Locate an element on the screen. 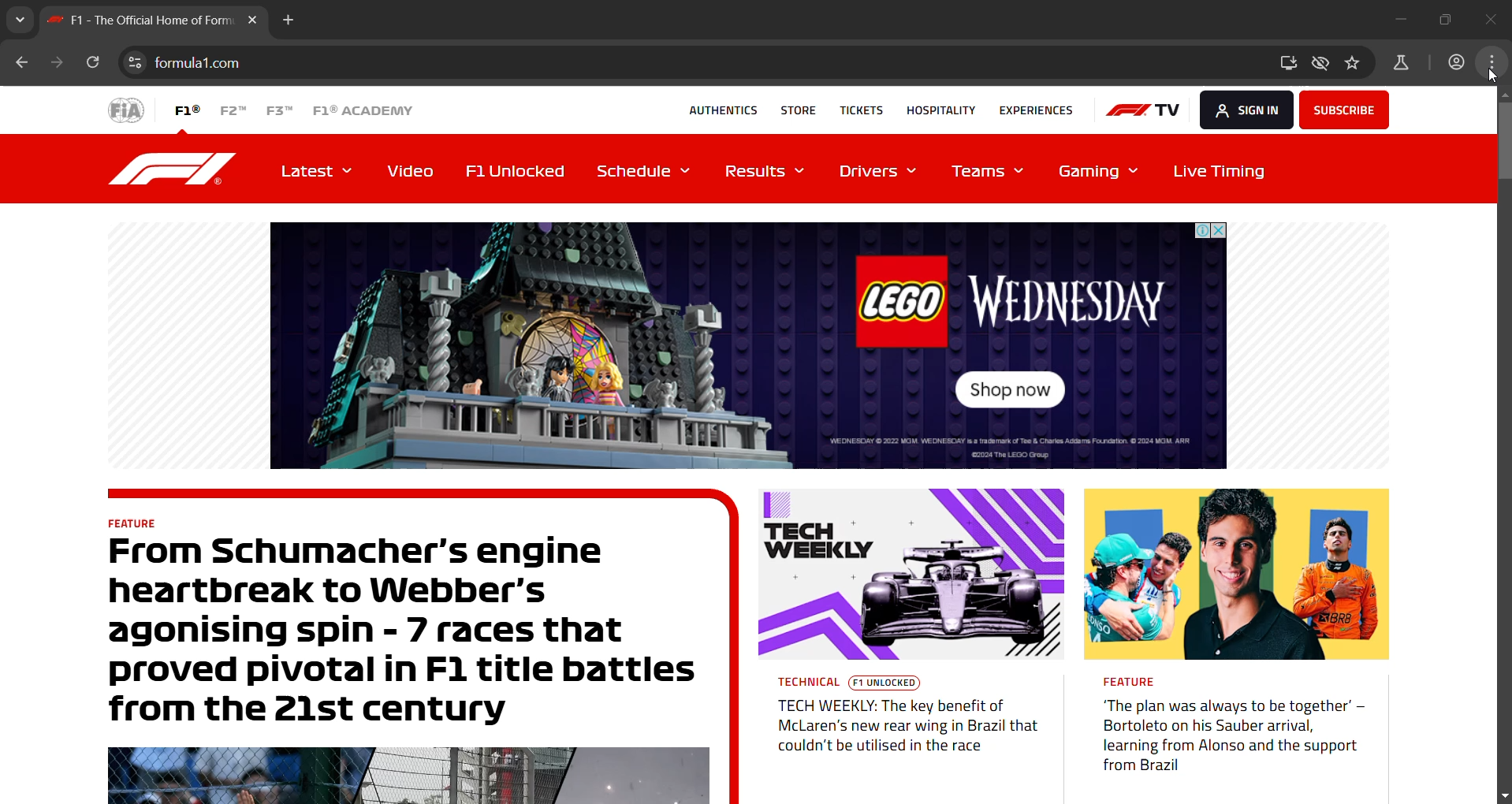 This screenshot has width=1512, height=804. News: feature- plan was always to be together’ —Bortoleto on his Sauber arrival,learning from Alonso and the support from Brazil is located at coordinates (1242, 642).